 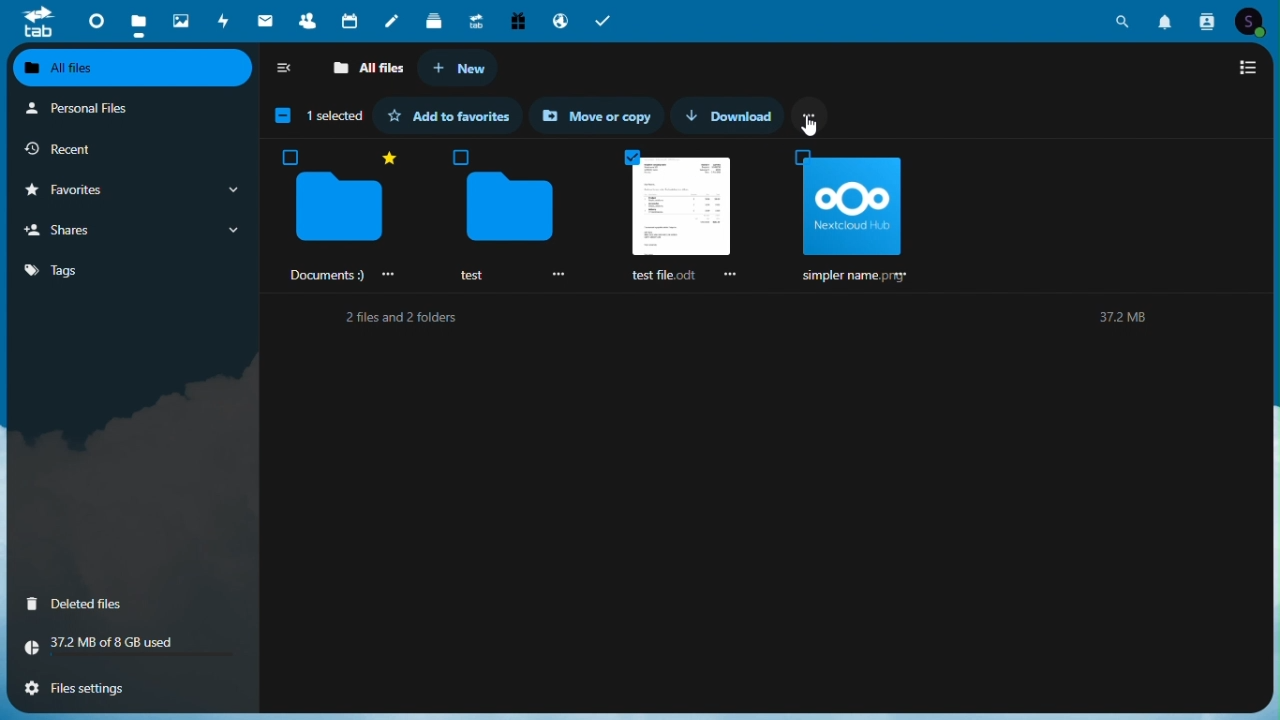 What do you see at coordinates (131, 68) in the screenshot?
I see `All files` at bounding box center [131, 68].